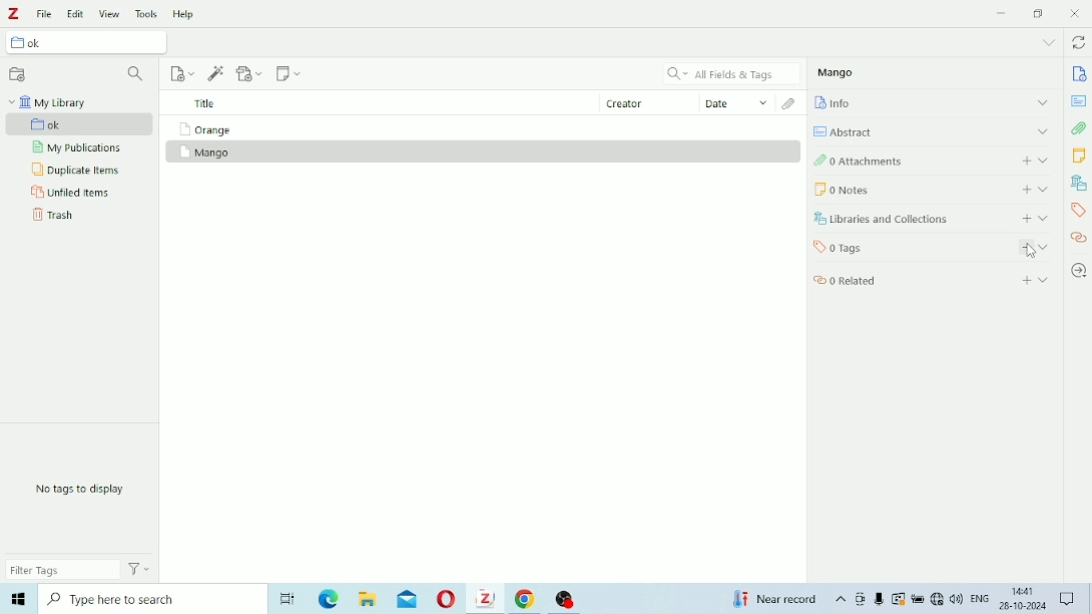 This screenshot has height=614, width=1092. Describe the element at coordinates (367, 600) in the screenshot. I see `File Explorer` at that location.